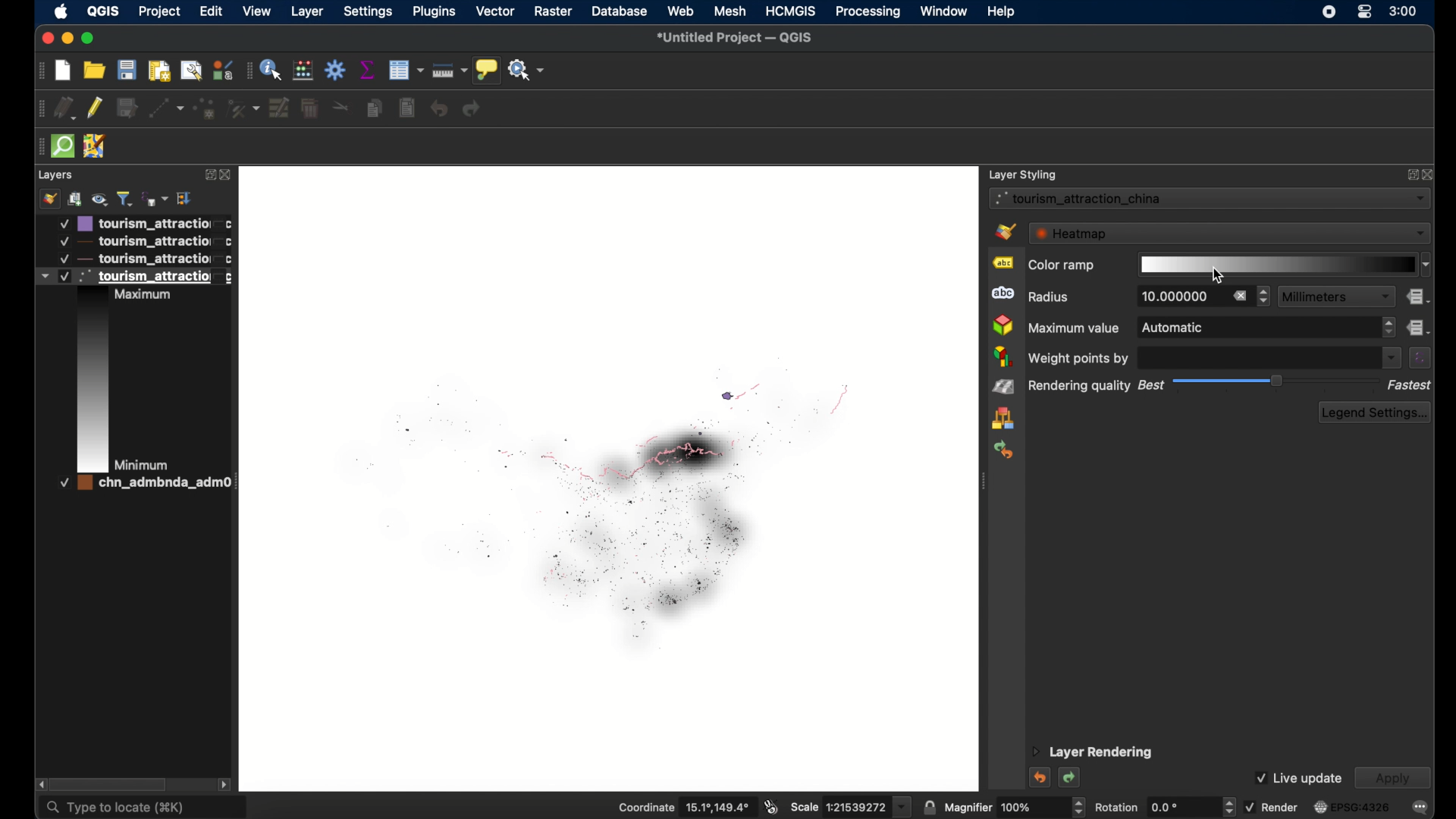 This screenshot has width=1456, height=819. What do you see at coordinates (142, 808) in the screenshot?
I see `type to locate` at bounding box center [142, 808].